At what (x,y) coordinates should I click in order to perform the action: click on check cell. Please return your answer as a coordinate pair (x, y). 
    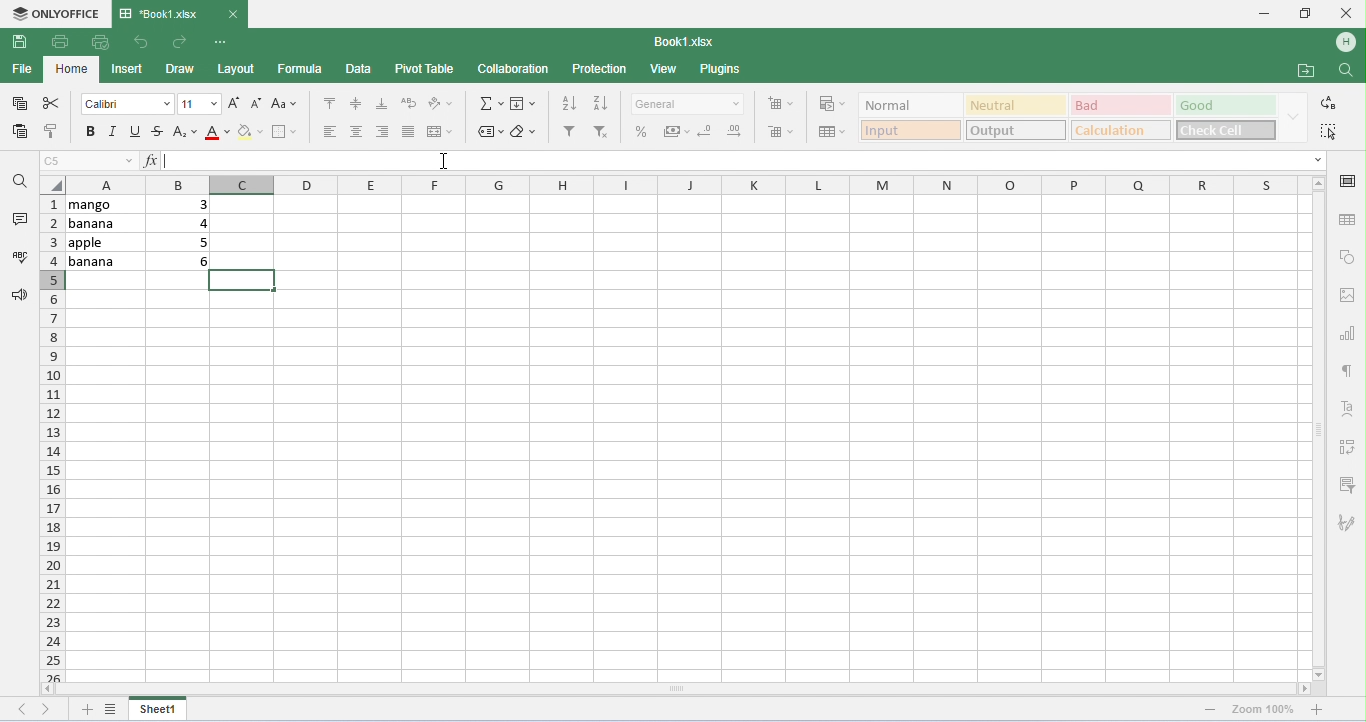
    Looking at the image, I should click on (1224, 130).